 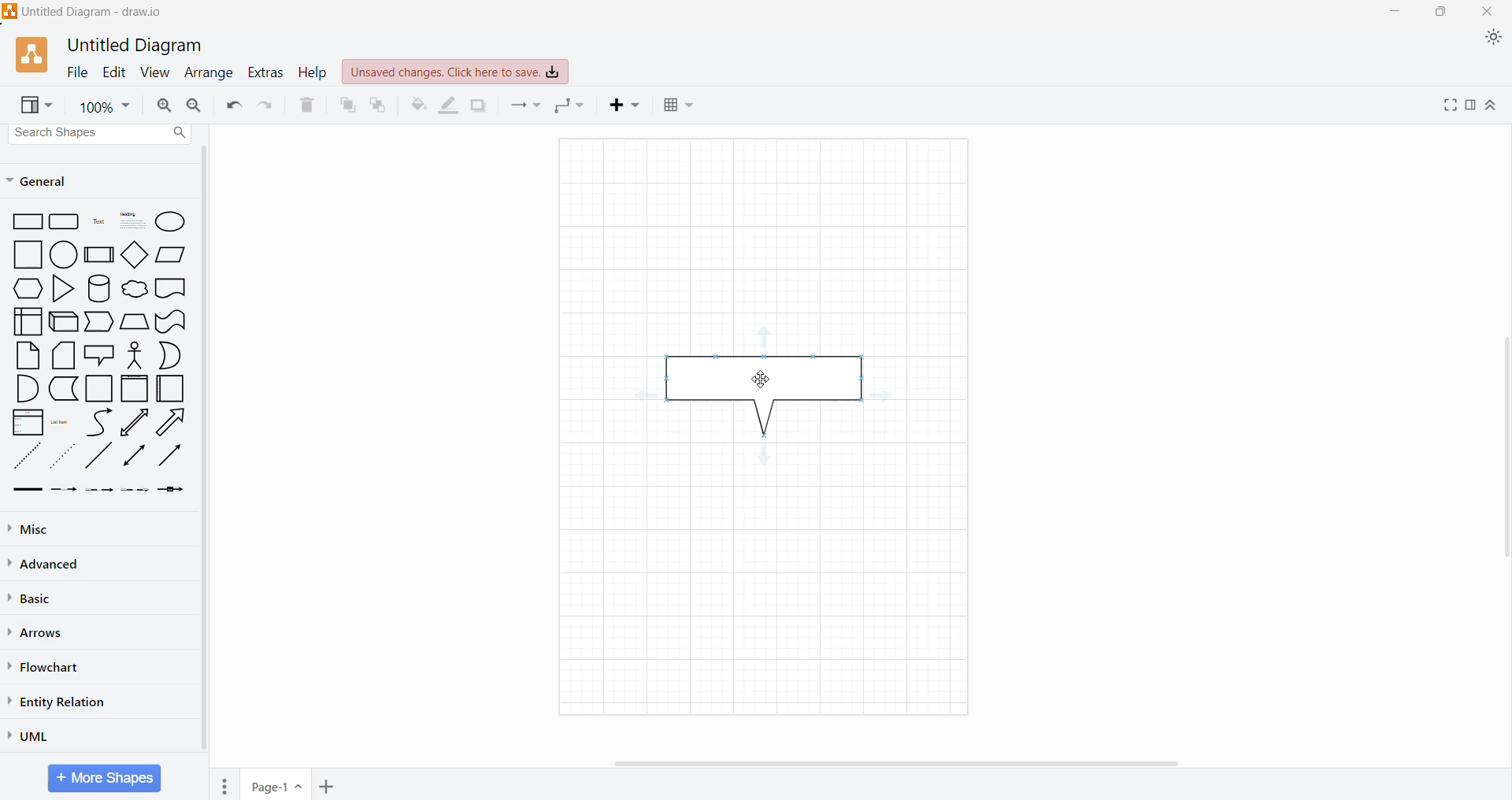 What do you see at coordinates (234, 106) in the screenshot?
I see `Undo` at bounding box center [234, 106].